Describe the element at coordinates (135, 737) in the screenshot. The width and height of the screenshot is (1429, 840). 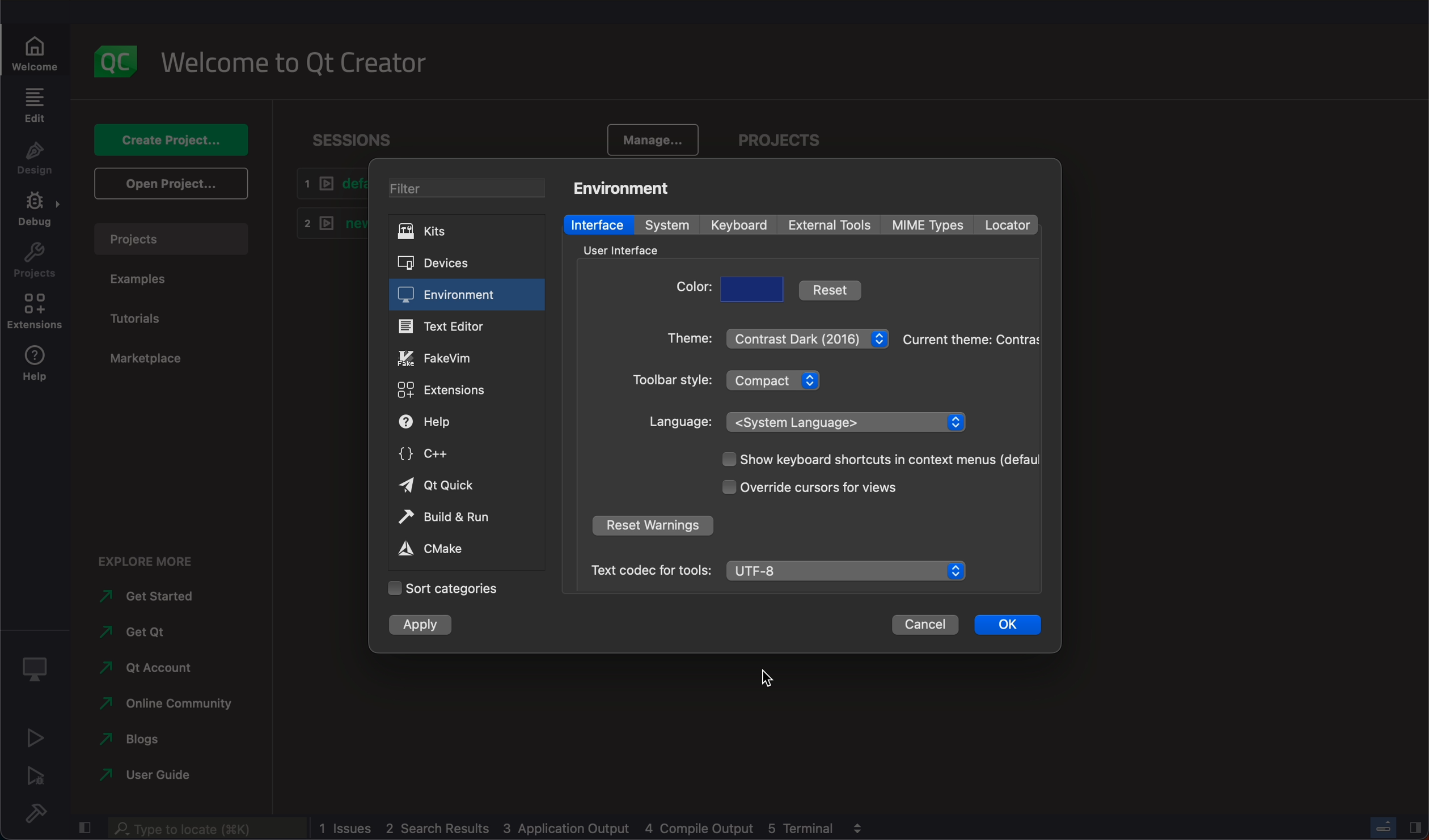
I see `blogs` at that location.